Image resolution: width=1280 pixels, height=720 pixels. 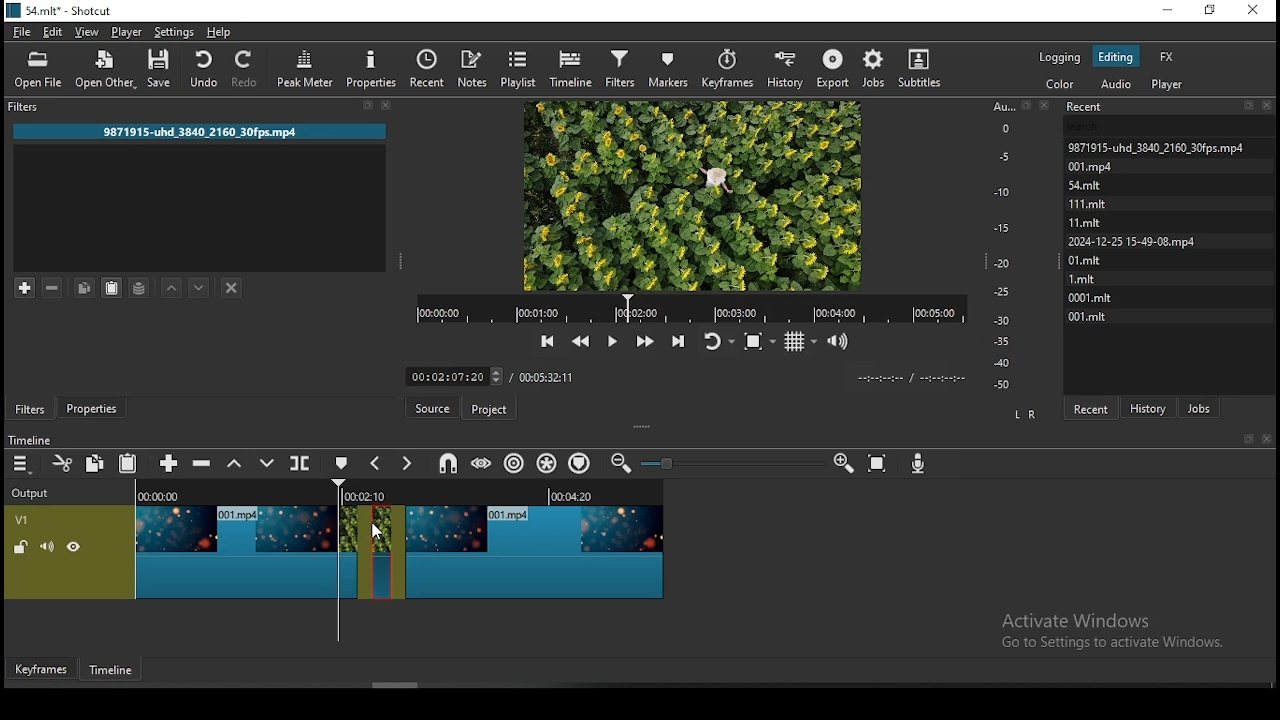 What do you see at coordinates (544, 341) in the screenshot?
I see `skip to the previous point` at bounding box center [544, 341].